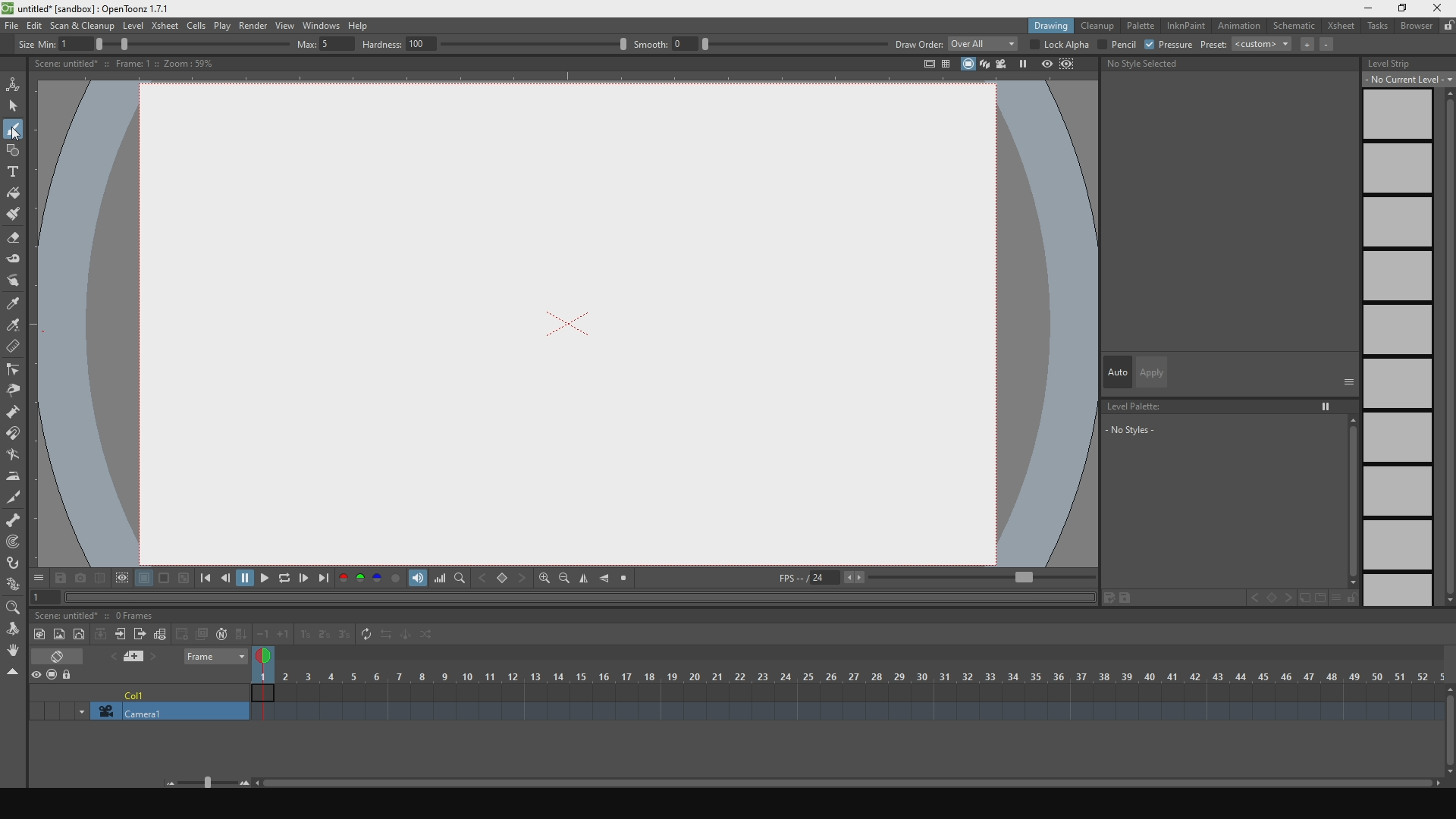  I want to click on Scene untitled* :: 0 Frames, so click(99, 613).